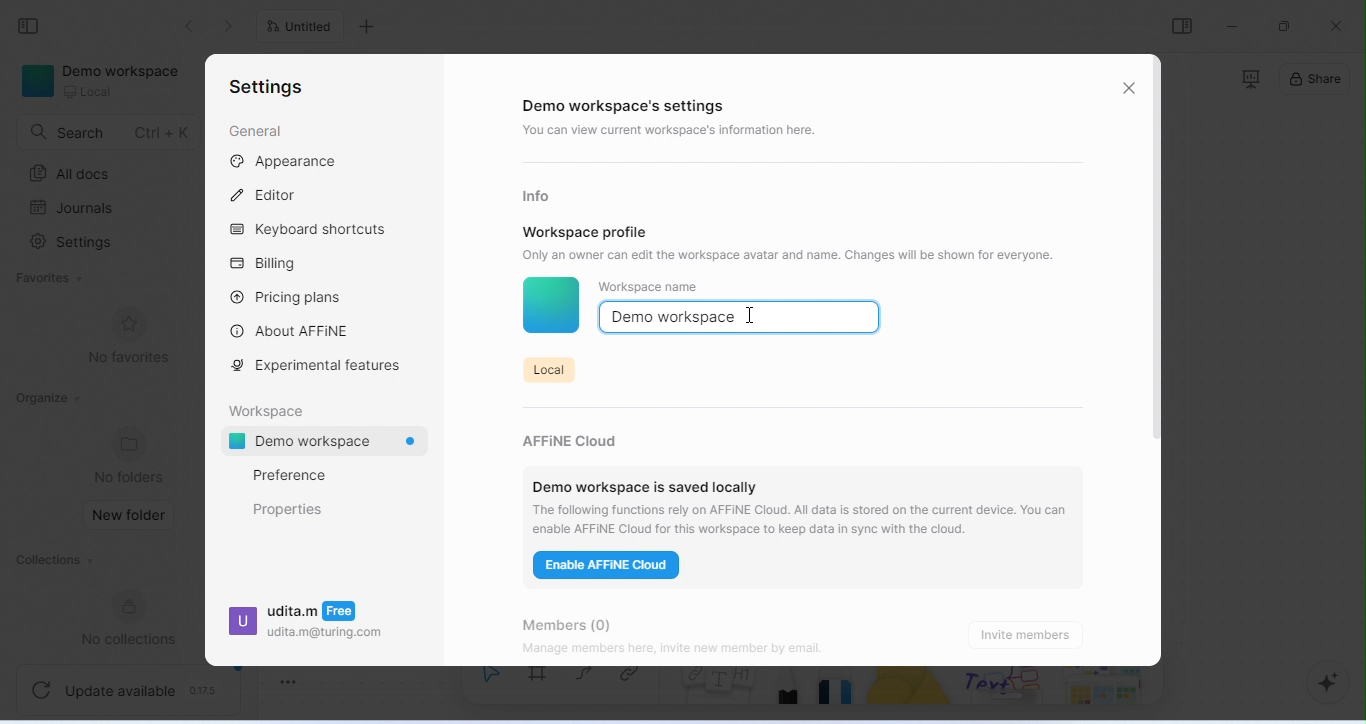 The image size is (1366, 724). I want to click on workspace profile, so click(586, 231).